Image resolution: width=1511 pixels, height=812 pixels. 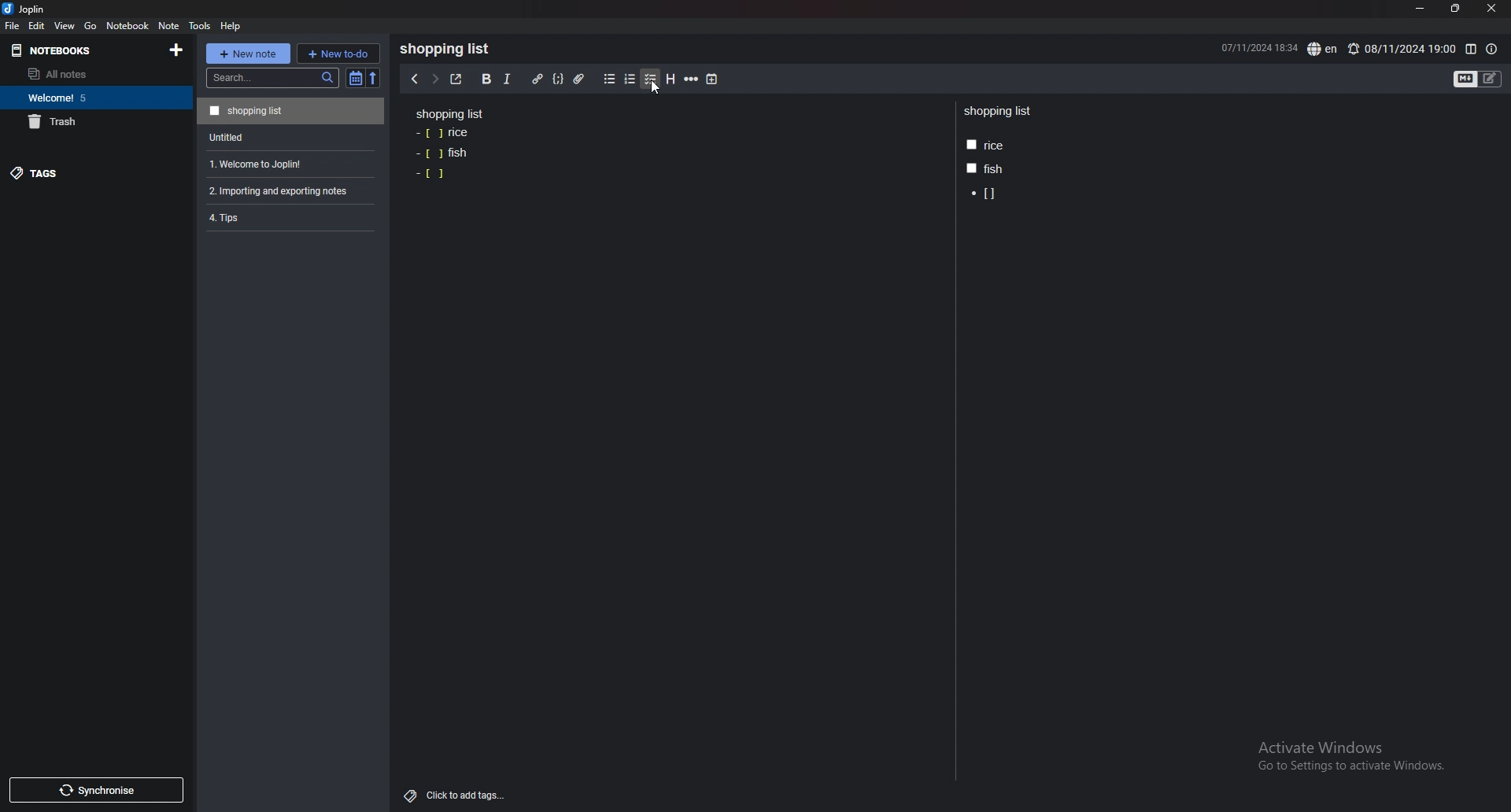 What do you see at coordinates (456, 79) in the screenshot?
I see `toggle external editor` at bounding box center [456, 79].